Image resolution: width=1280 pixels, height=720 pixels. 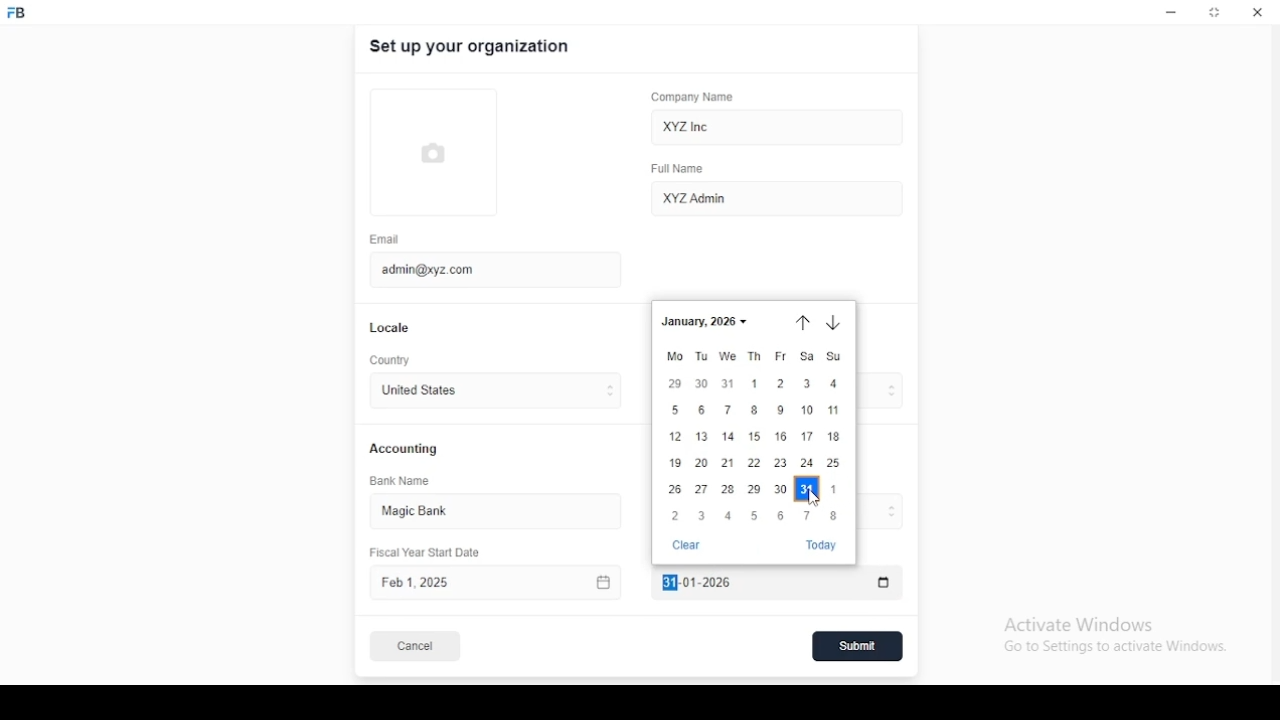 What do you see at coordinates (701, 517) in the screenshot?
I see `3` at bounding box center [701, 517].